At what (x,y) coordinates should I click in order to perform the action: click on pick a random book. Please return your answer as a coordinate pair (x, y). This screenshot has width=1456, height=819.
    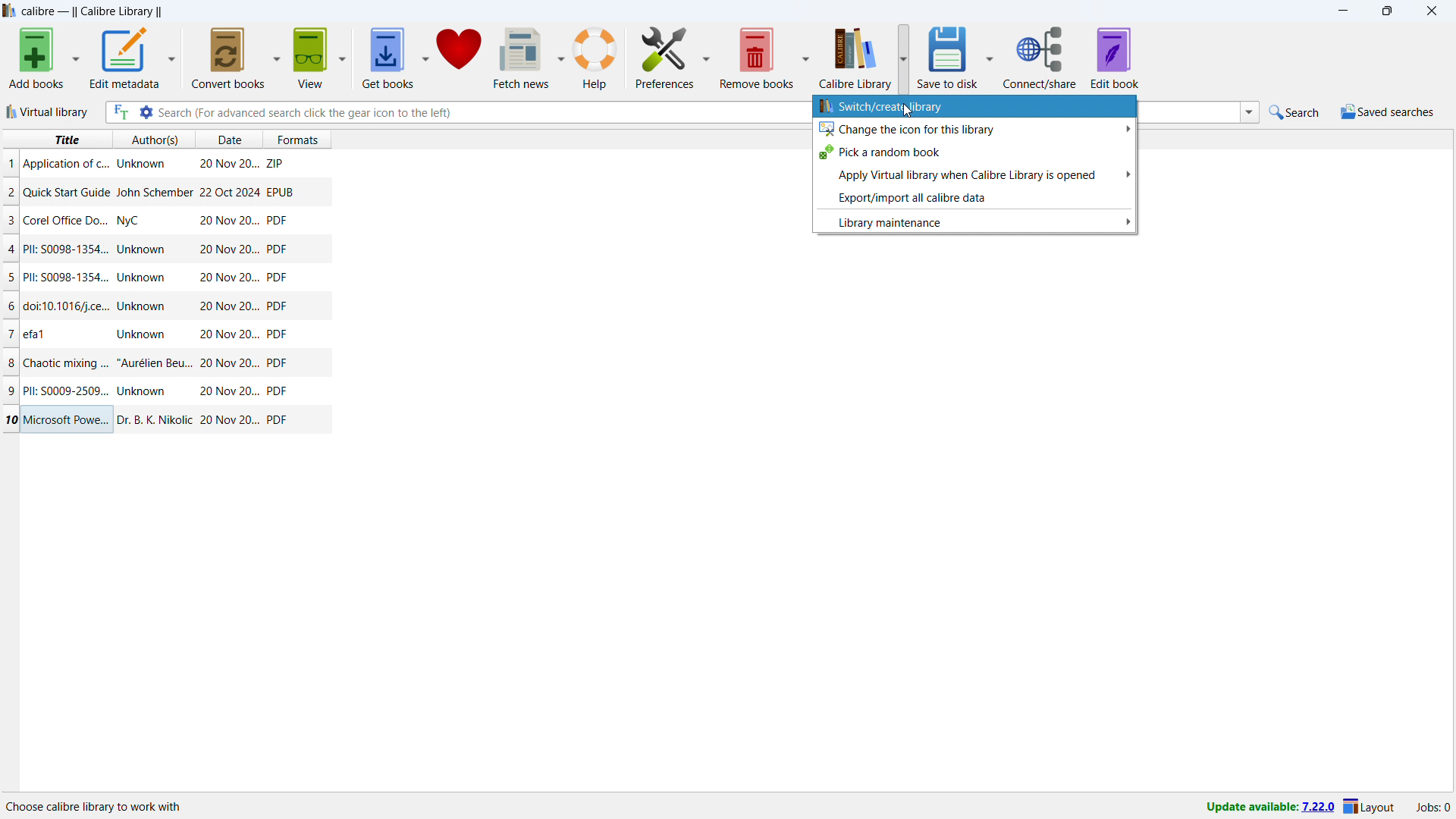
    Looking at the image, I should click on (976, 152).